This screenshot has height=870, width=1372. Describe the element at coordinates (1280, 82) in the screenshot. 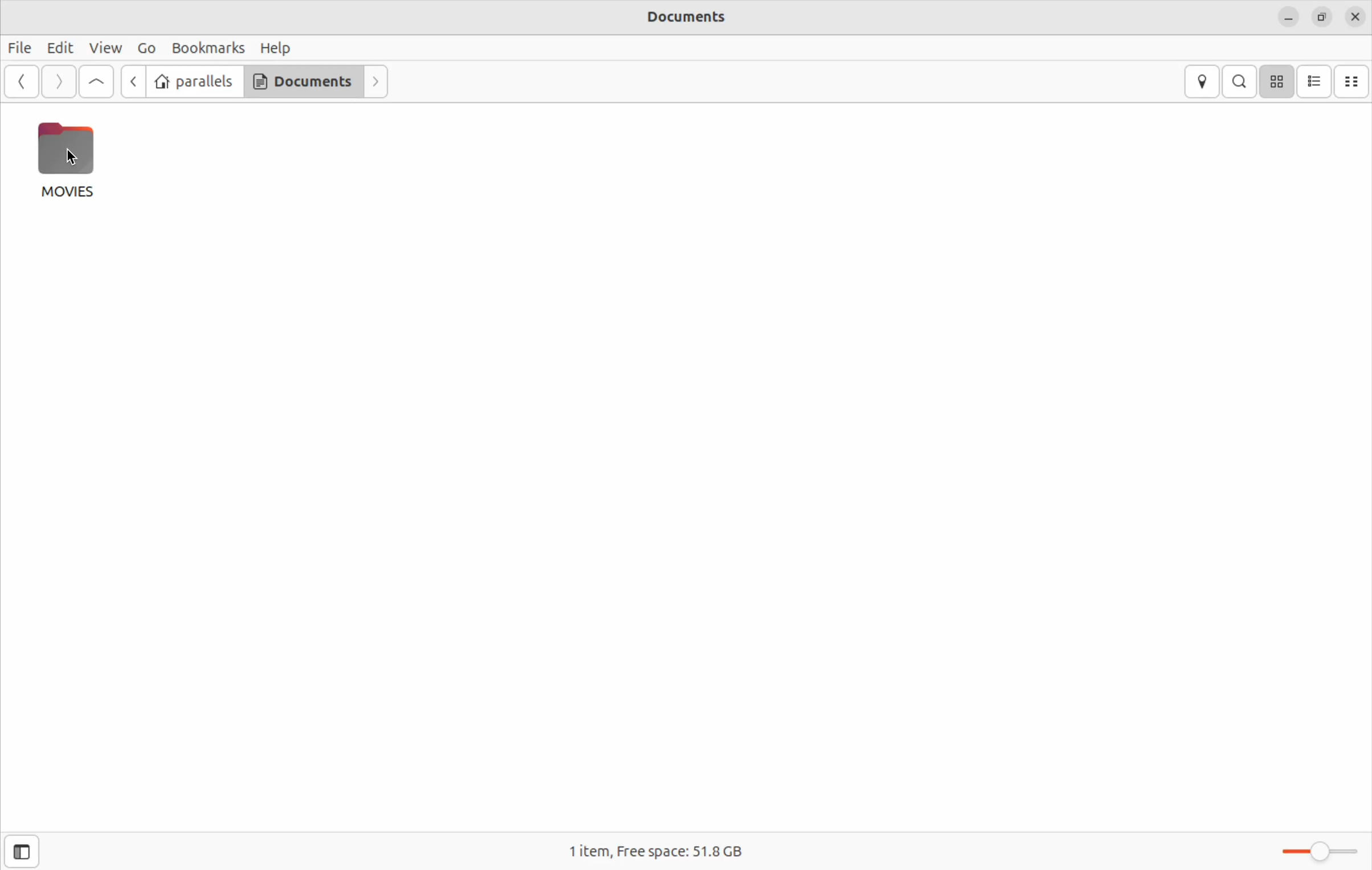

I see `icon view` at that location.